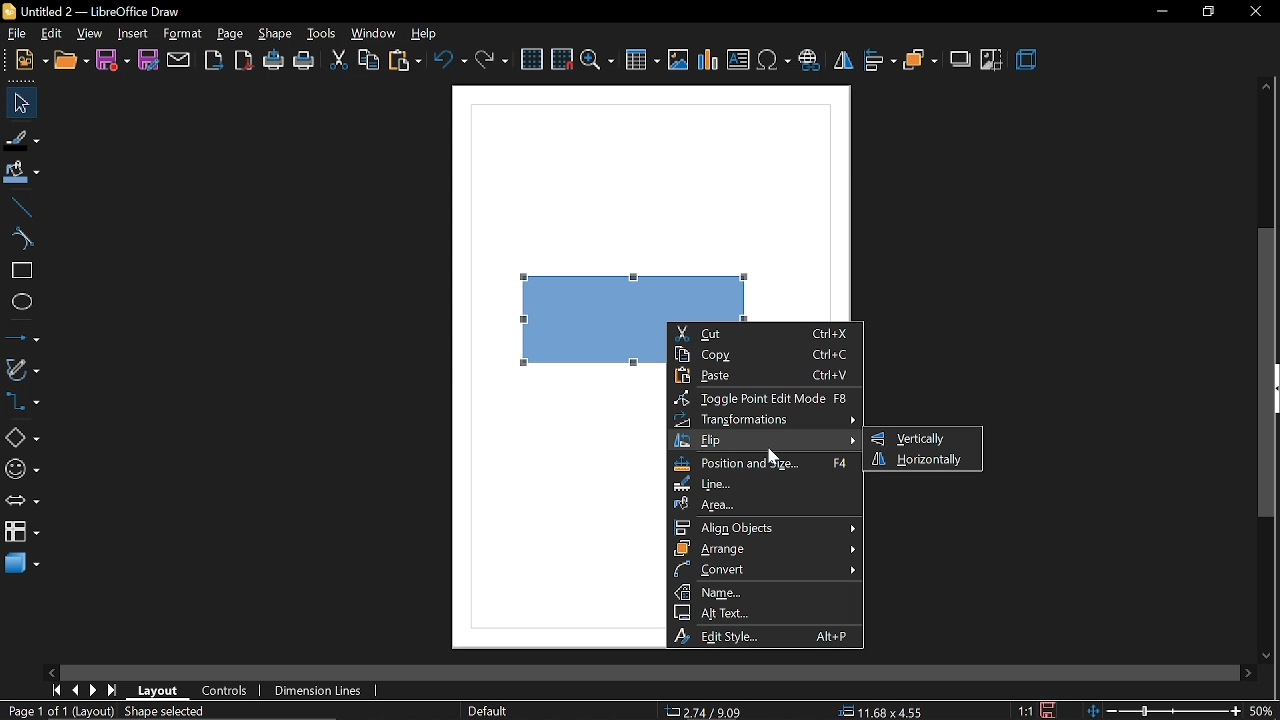  What do you see at coordinates (765, 548) in the screenshot?
I see `arrange` at bounding box center [765, 548].